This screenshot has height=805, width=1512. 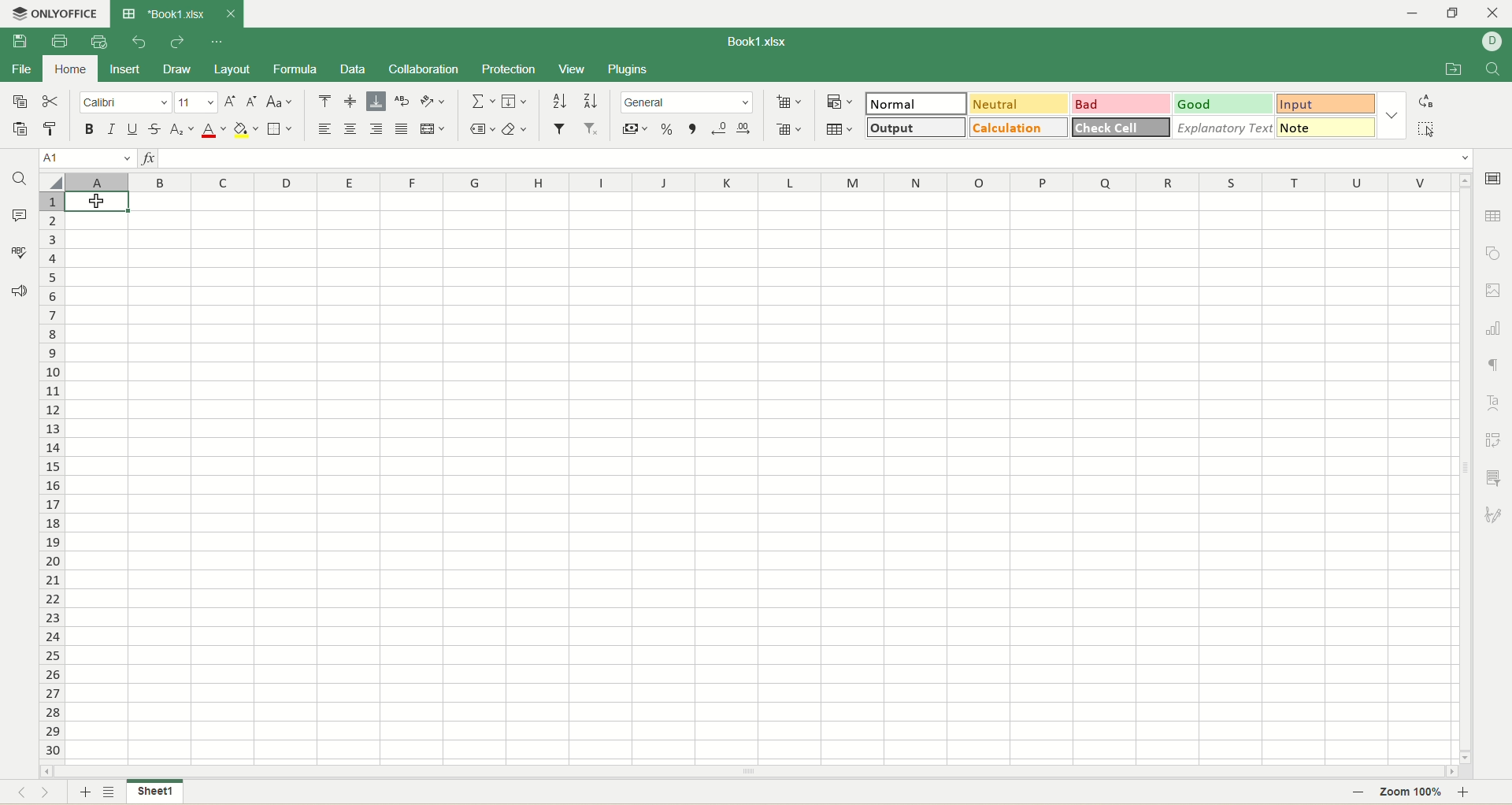 I want to click on next, so click(x=53, y=794).